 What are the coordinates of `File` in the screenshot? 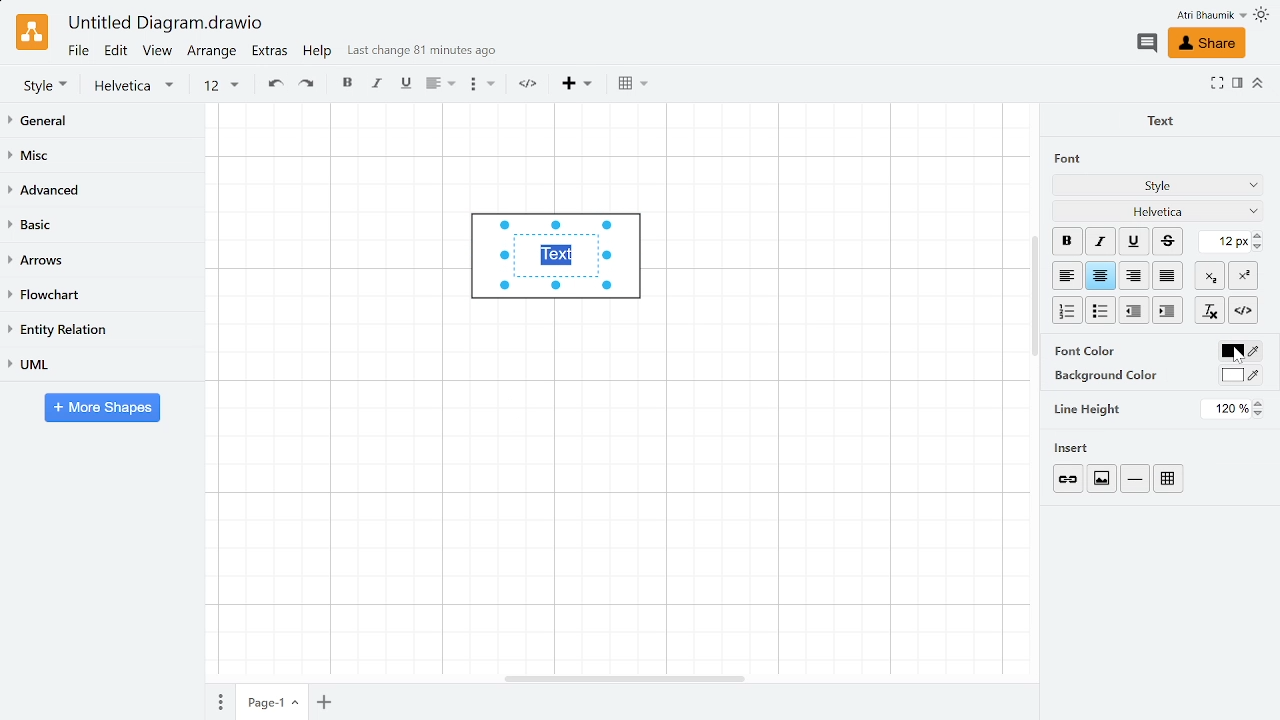 It's located at (77, 50).